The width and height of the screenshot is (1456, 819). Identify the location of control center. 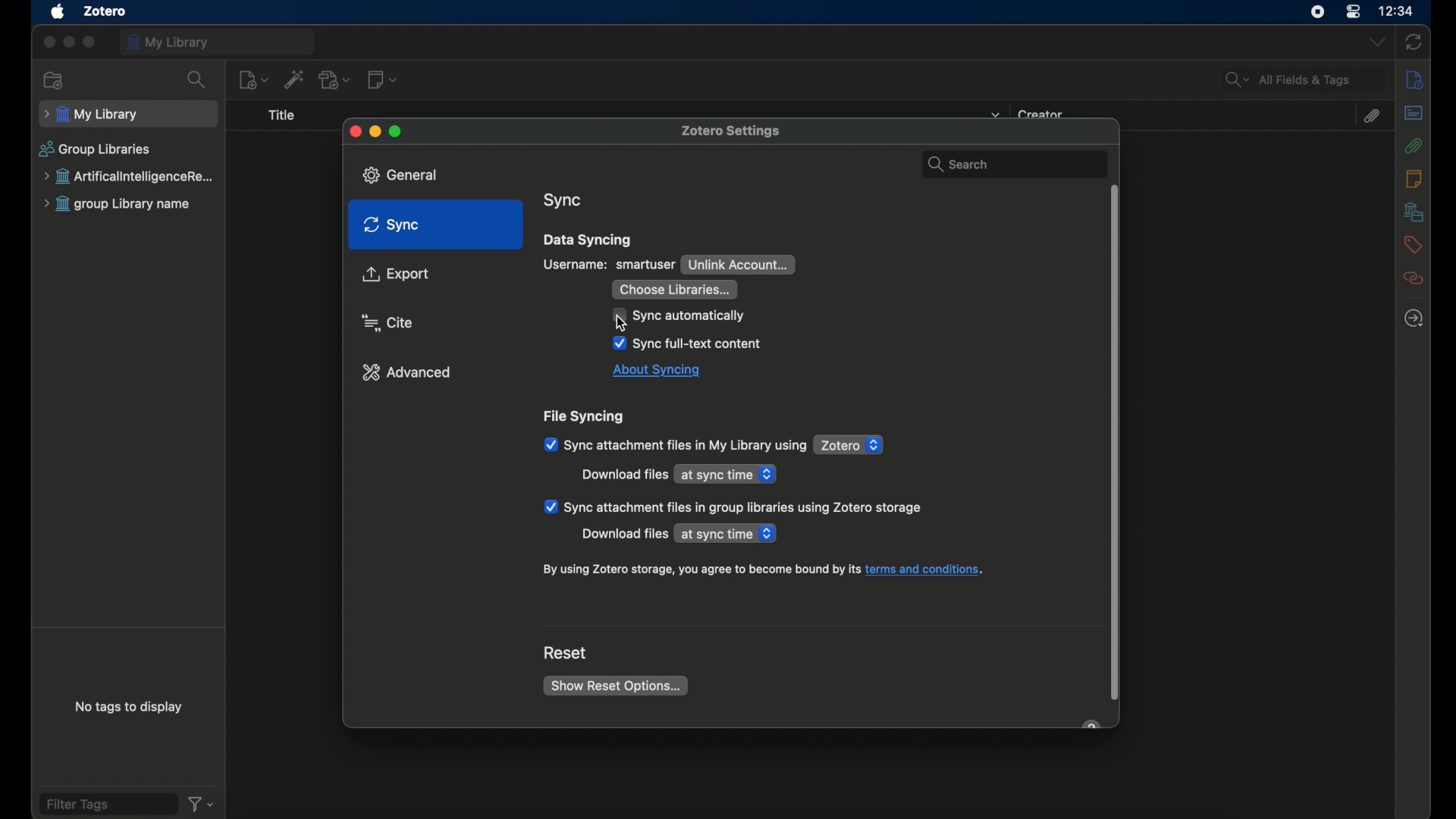
(1353, 12).